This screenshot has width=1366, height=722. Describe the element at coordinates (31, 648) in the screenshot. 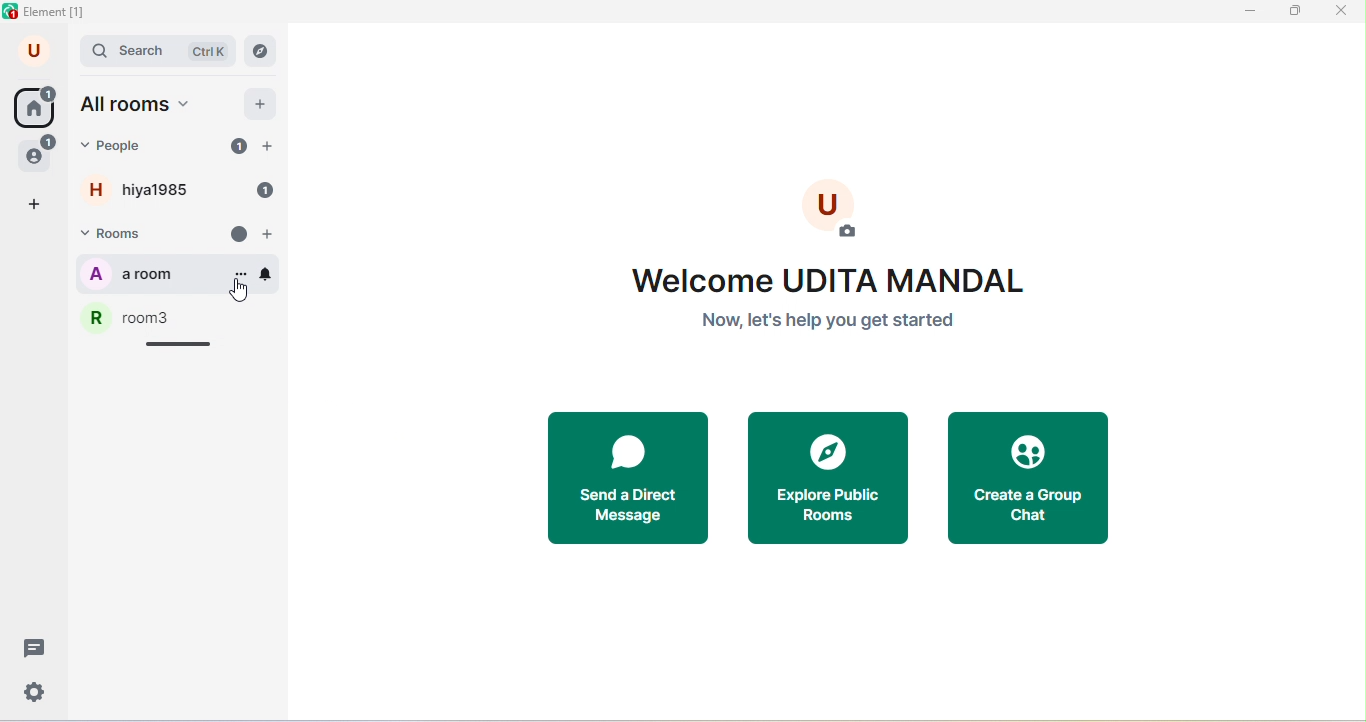

I see `threads` at that location.